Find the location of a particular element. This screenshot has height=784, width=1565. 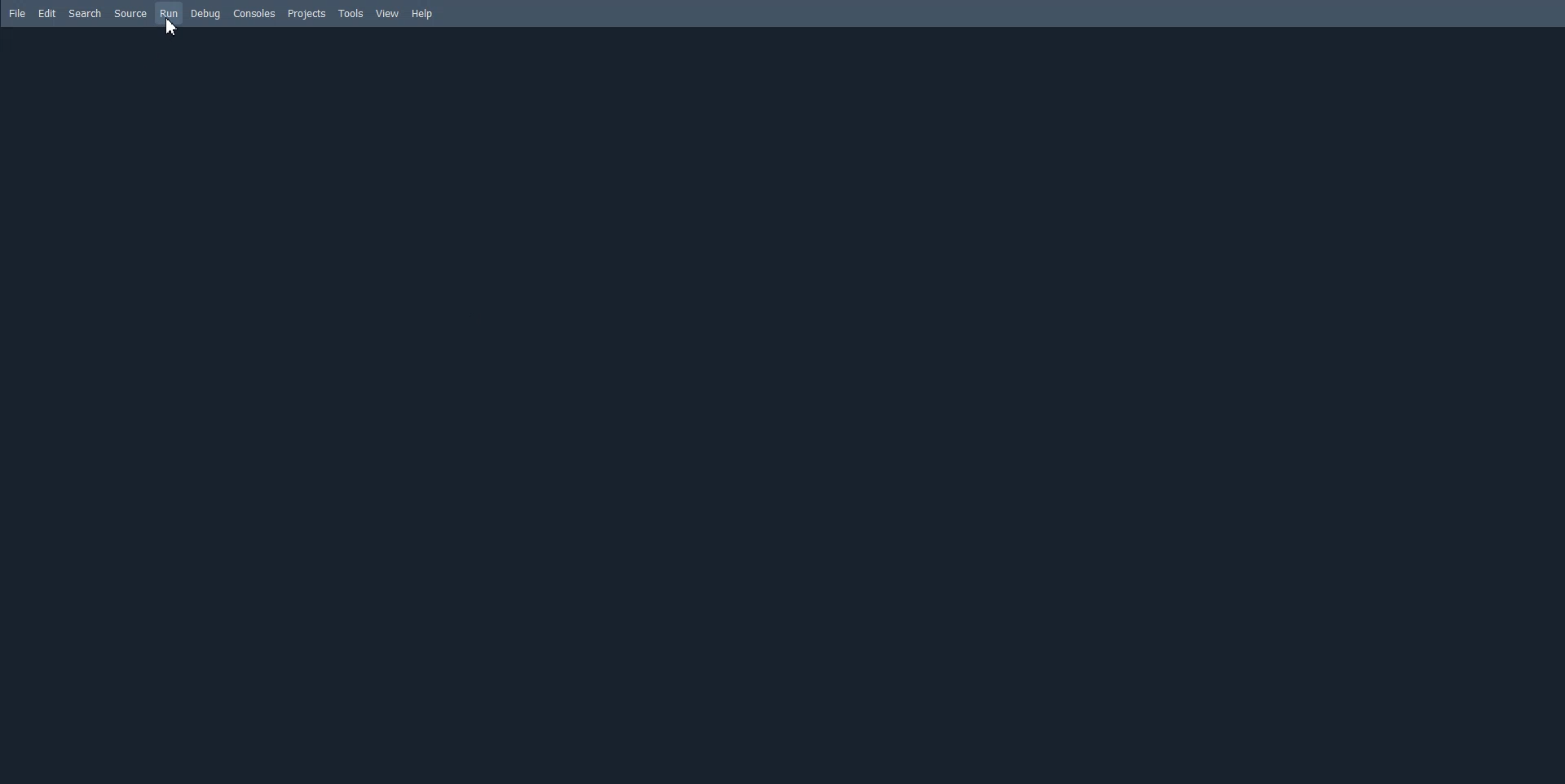

Edit is located at coordinates (48, 14).